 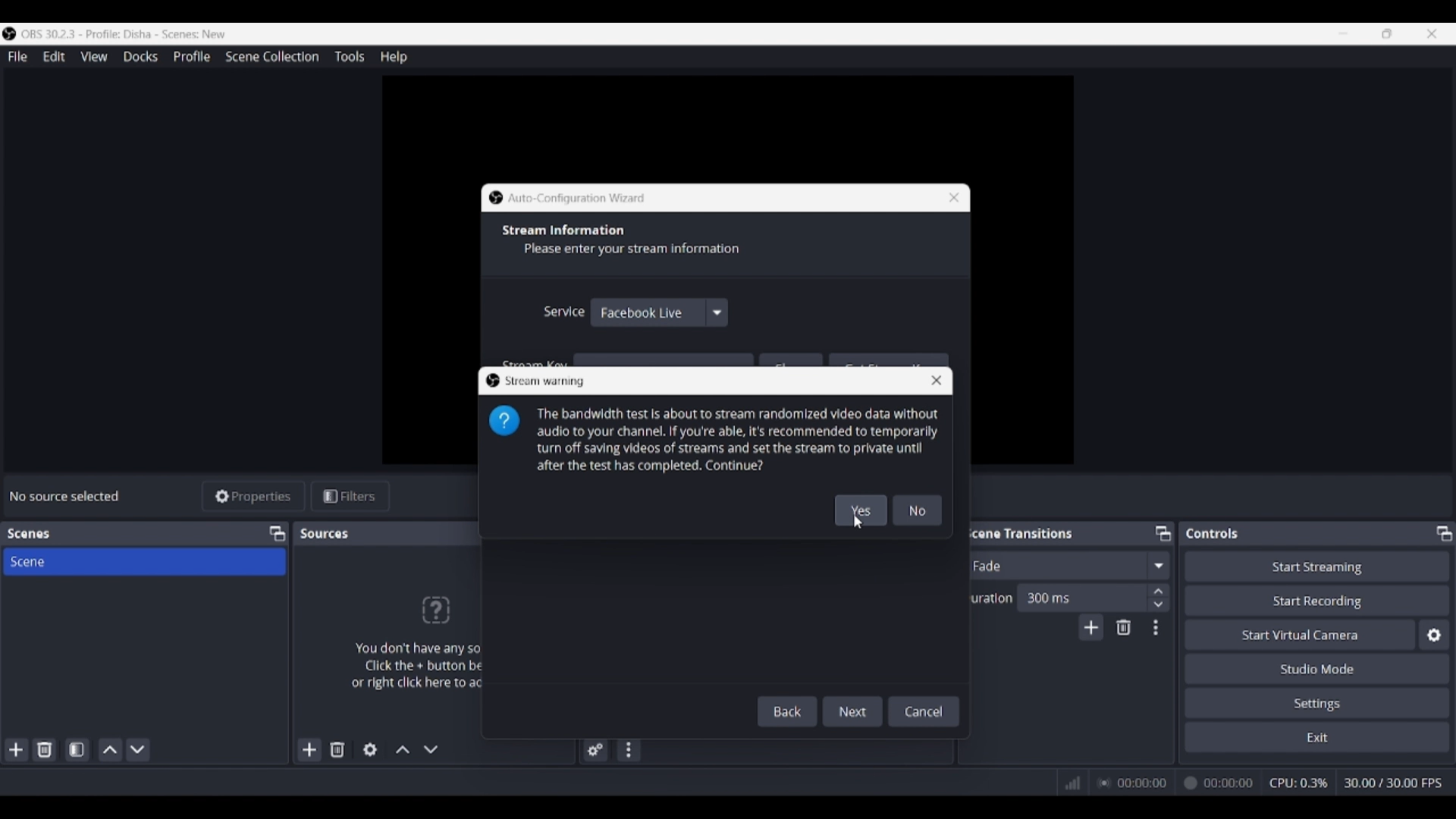 I want to click on Float controls panel, so click(x=1444, y=533).